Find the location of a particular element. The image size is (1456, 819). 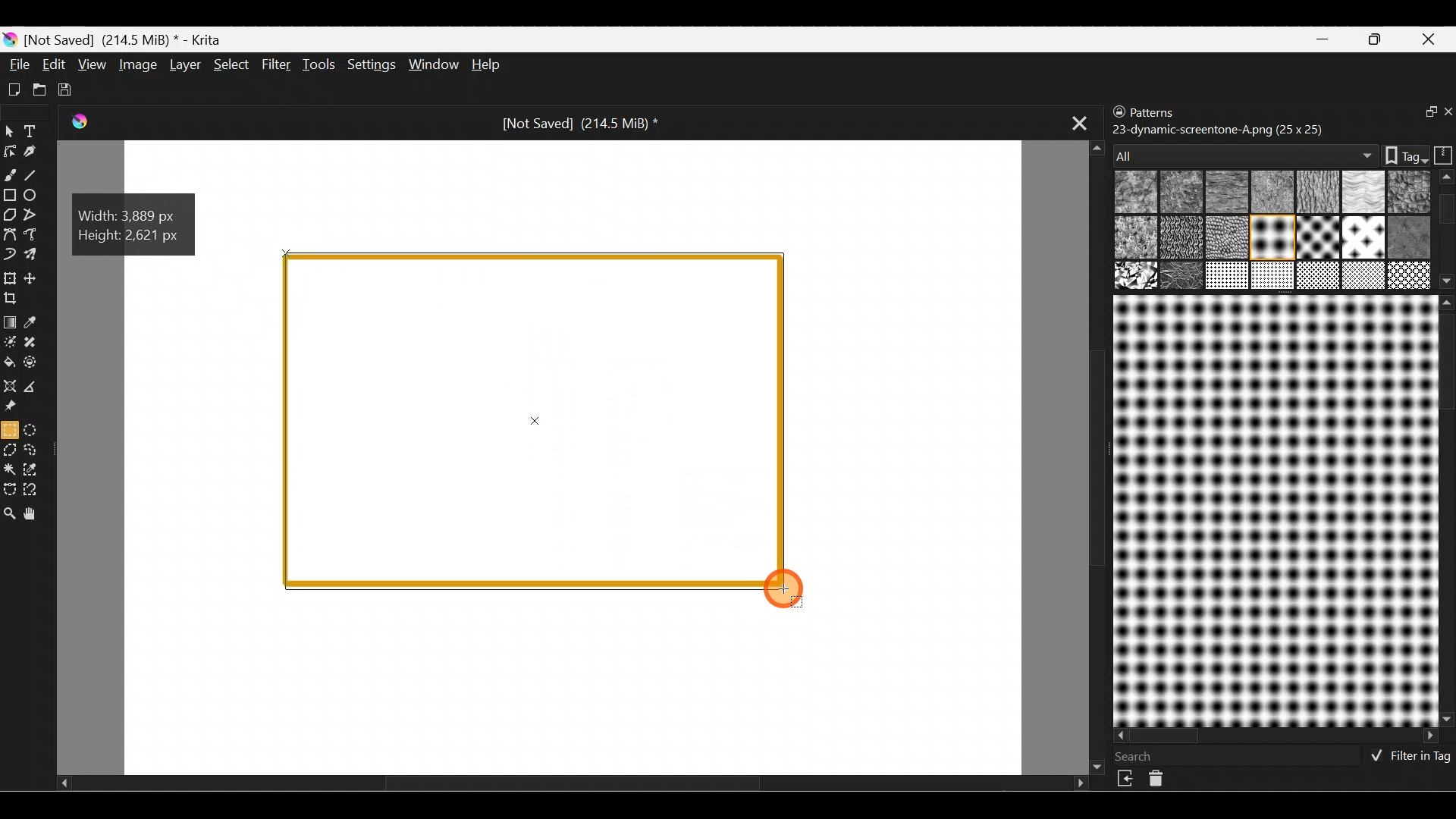

Assistant tool is located at coordinates (11, 384).